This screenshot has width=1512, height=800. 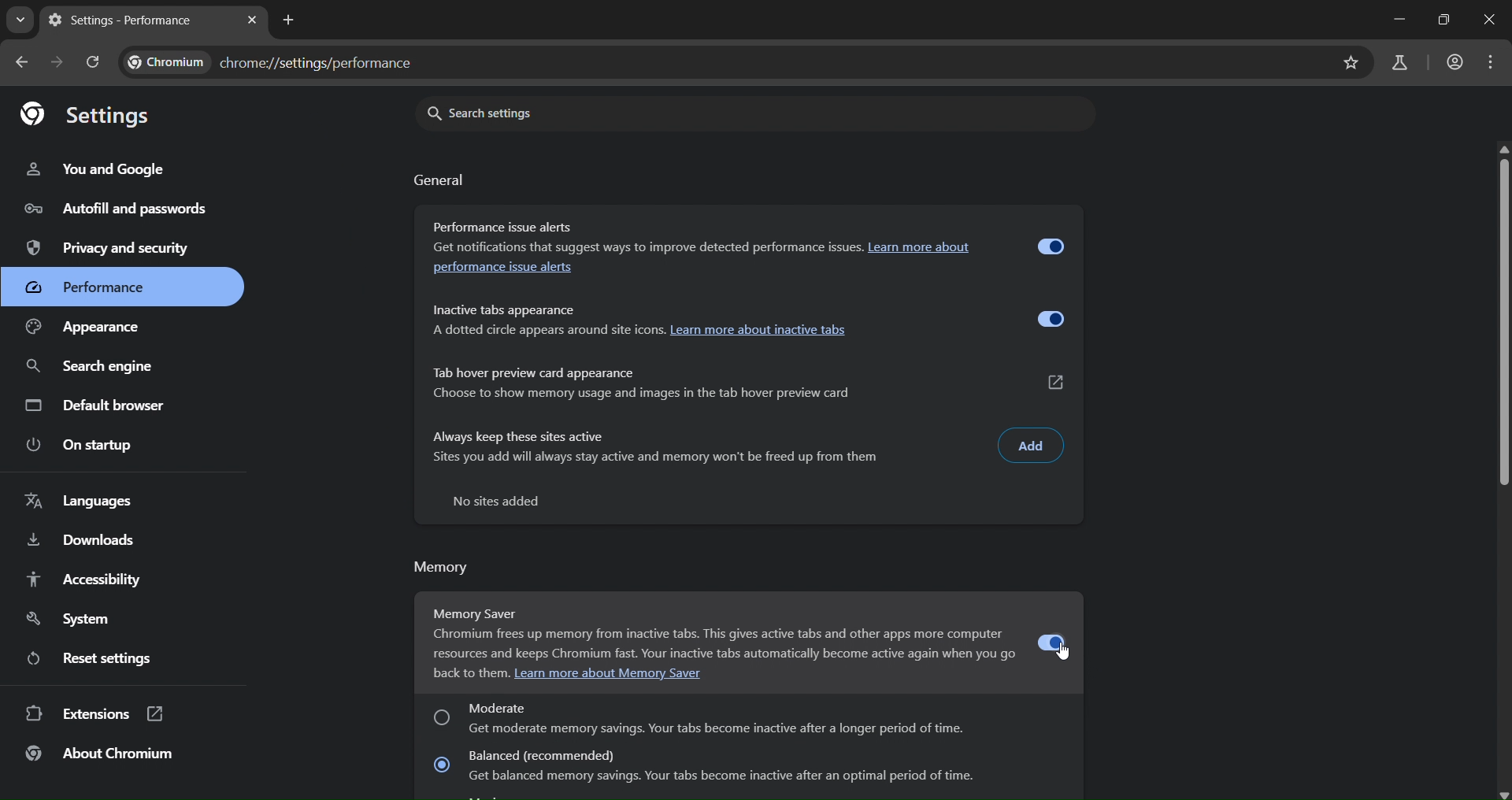 What do you see at coordinates (681, 383) in the screenshot?
I see `Tab hover preview card appearance Choose to show memory usage and images in the tab hover preview card` at bounding box center [681, 383].